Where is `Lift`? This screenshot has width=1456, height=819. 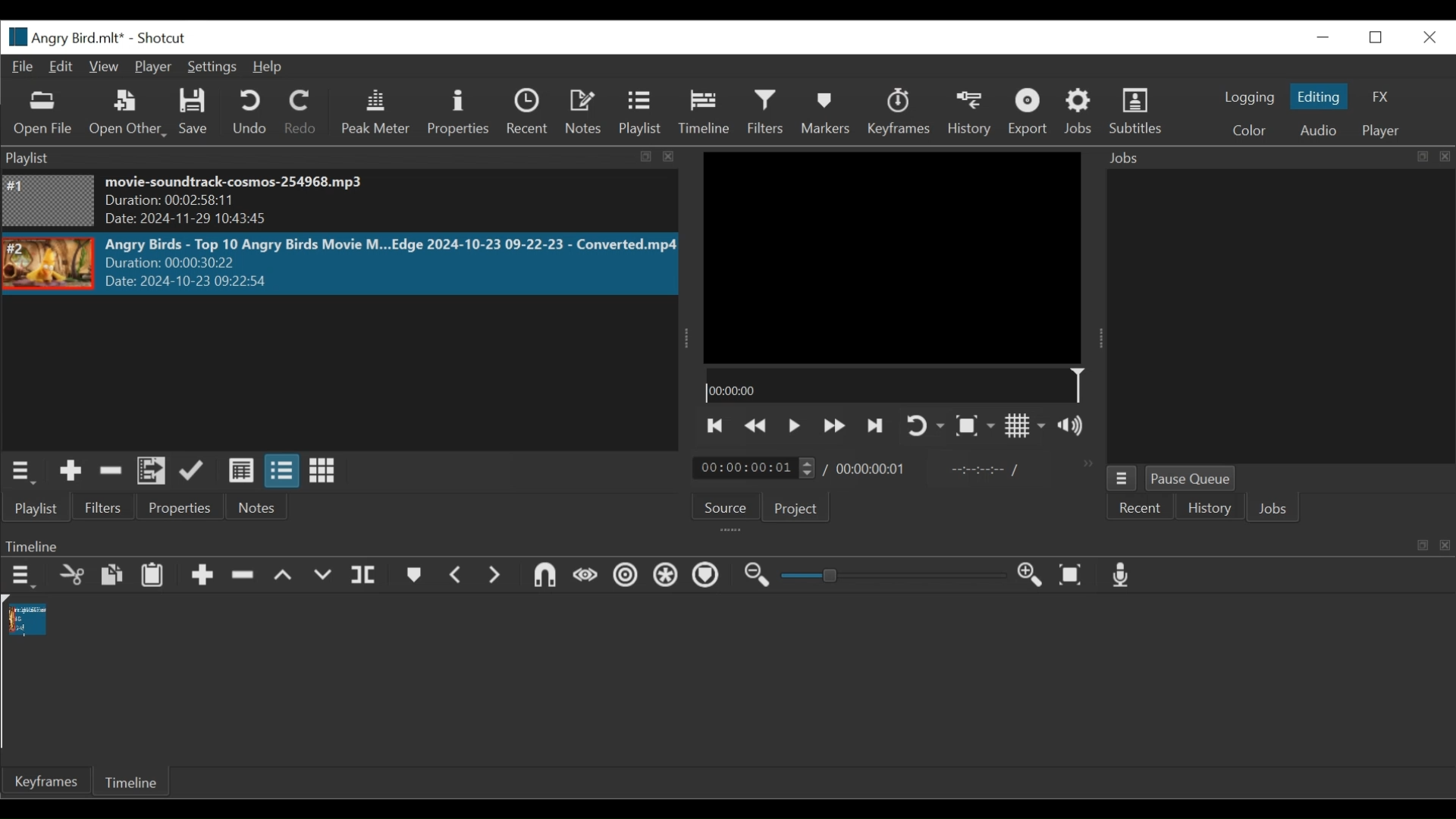
Lift is located at coordinates (285, 576).